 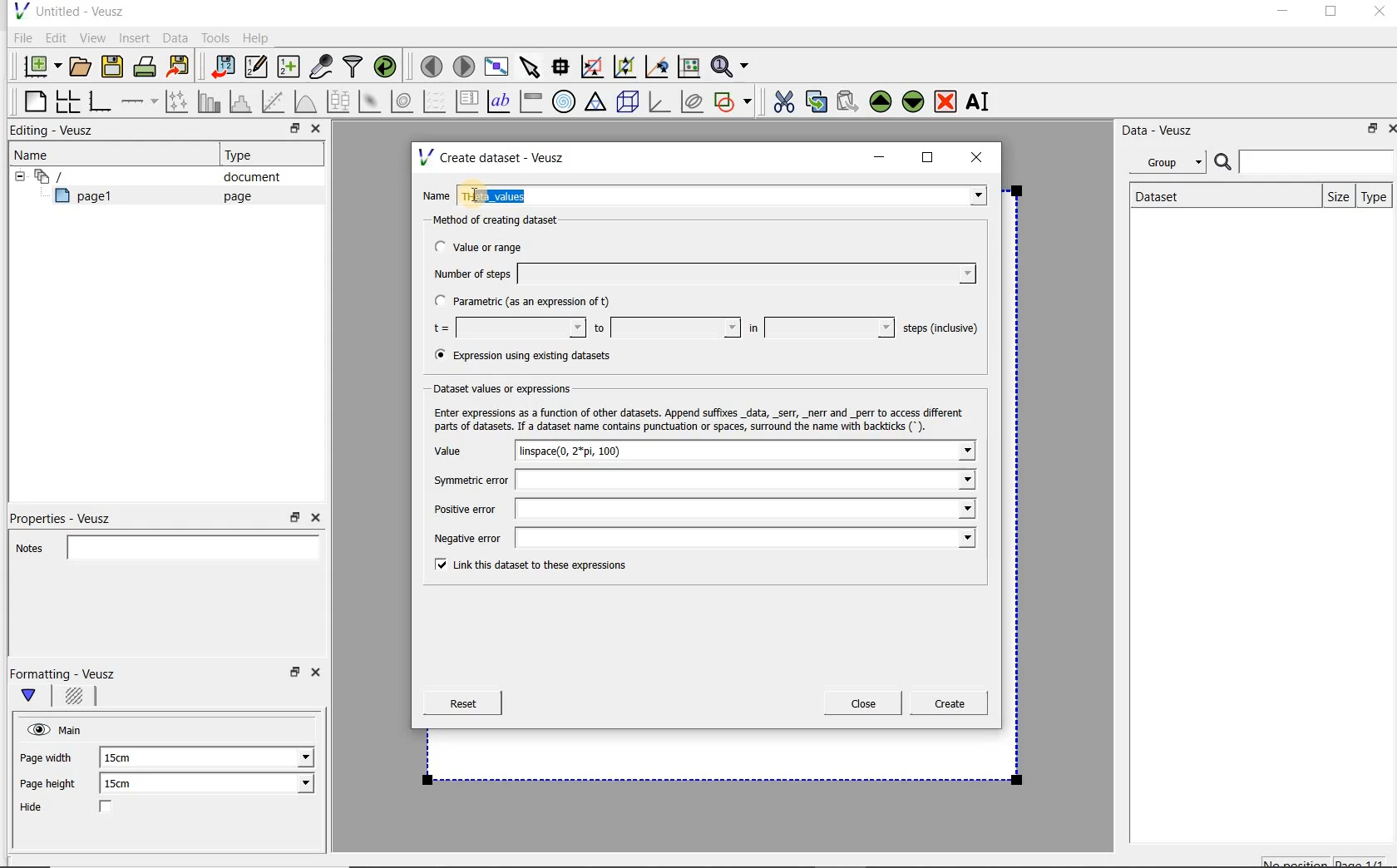 What do you see at coordinates (734, 100) in the screenshot?
I see `add a shape to the plot` at bounding box center [734, 100].